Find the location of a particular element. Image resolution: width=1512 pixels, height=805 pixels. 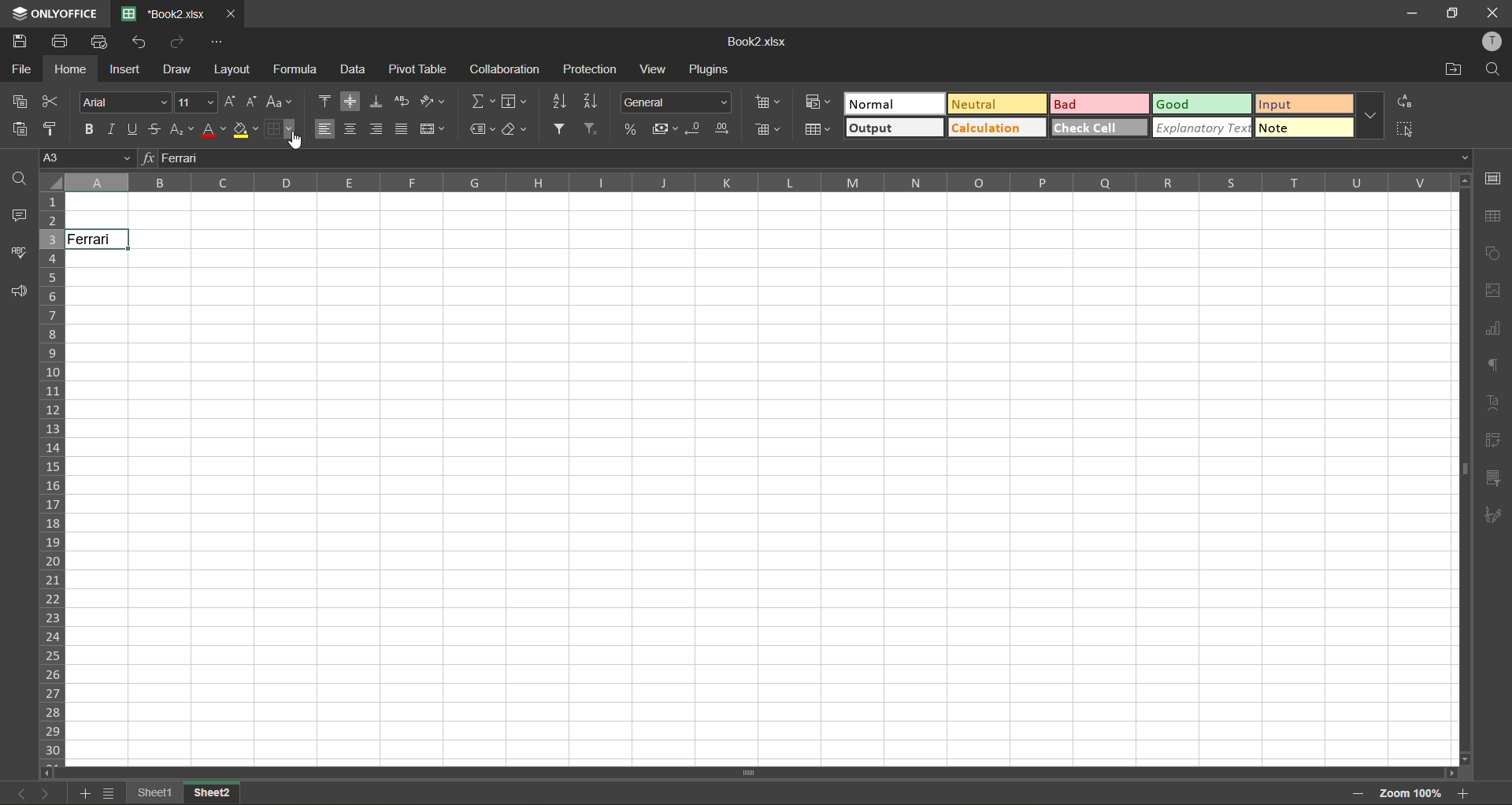

wrap text is located at coordinates (401, 101).